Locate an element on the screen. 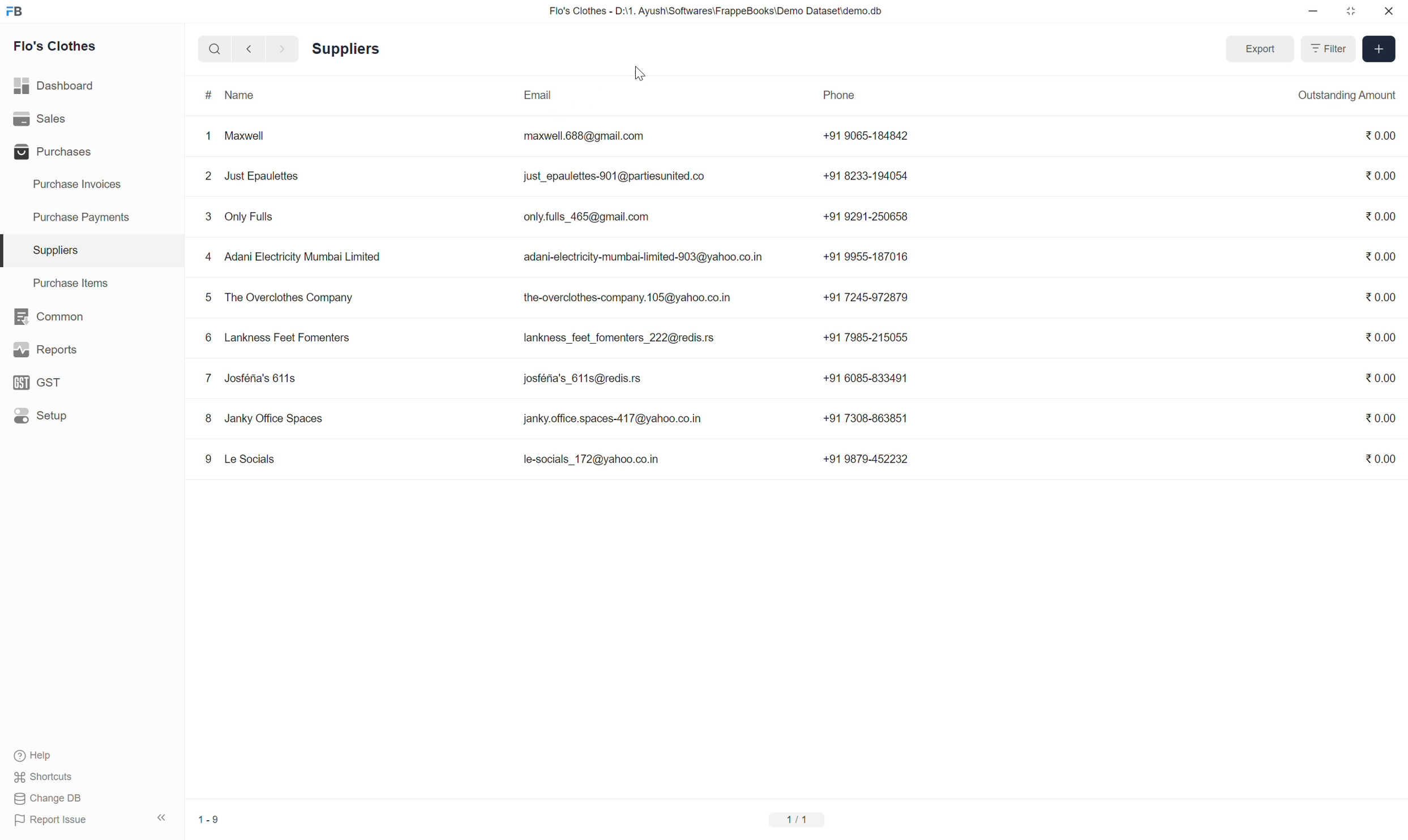 This screenshot has height=840, width=1408. The Overclothes Company is located at coordinates (292, 298).